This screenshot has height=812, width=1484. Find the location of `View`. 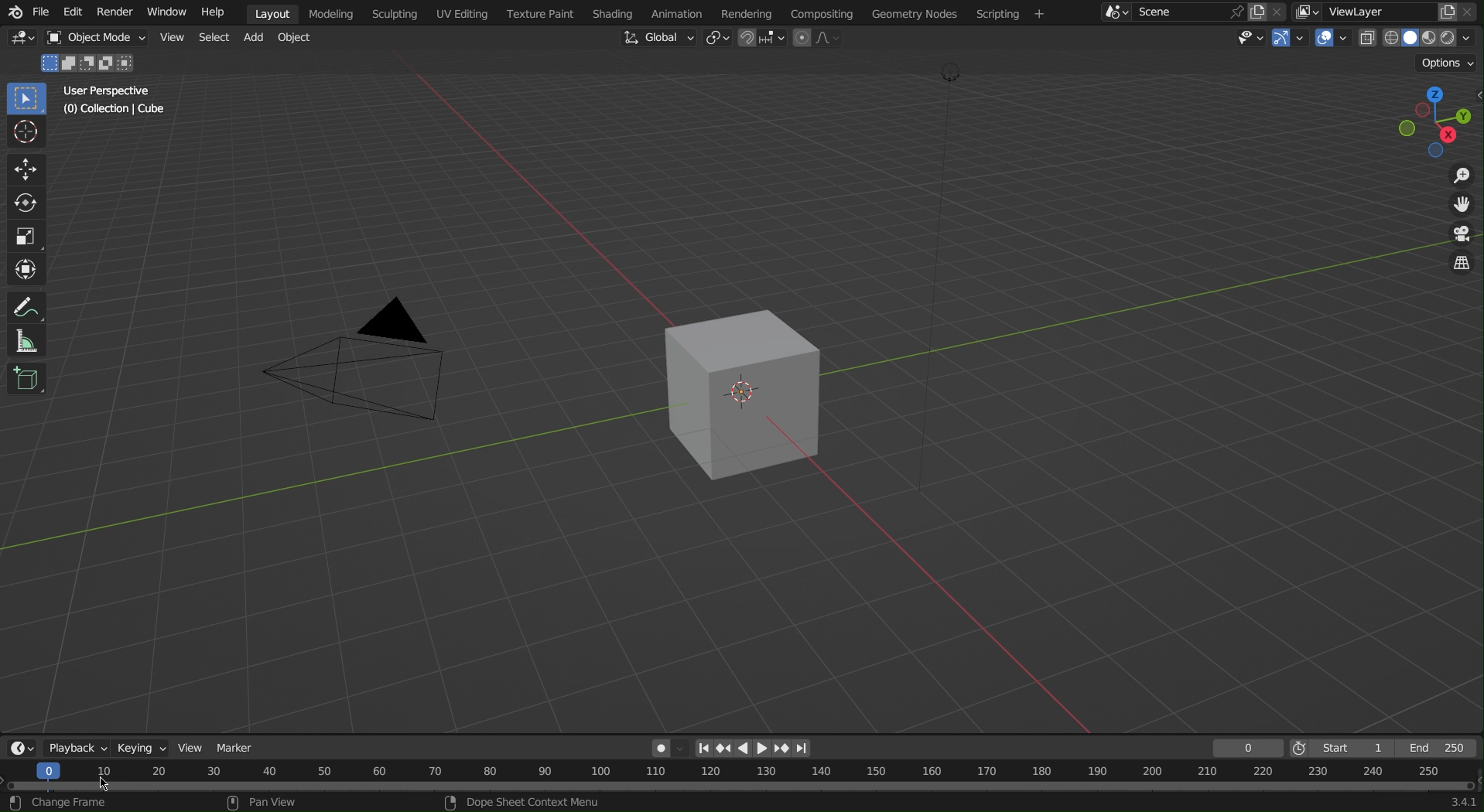

View is located at coordinates (195, 745).